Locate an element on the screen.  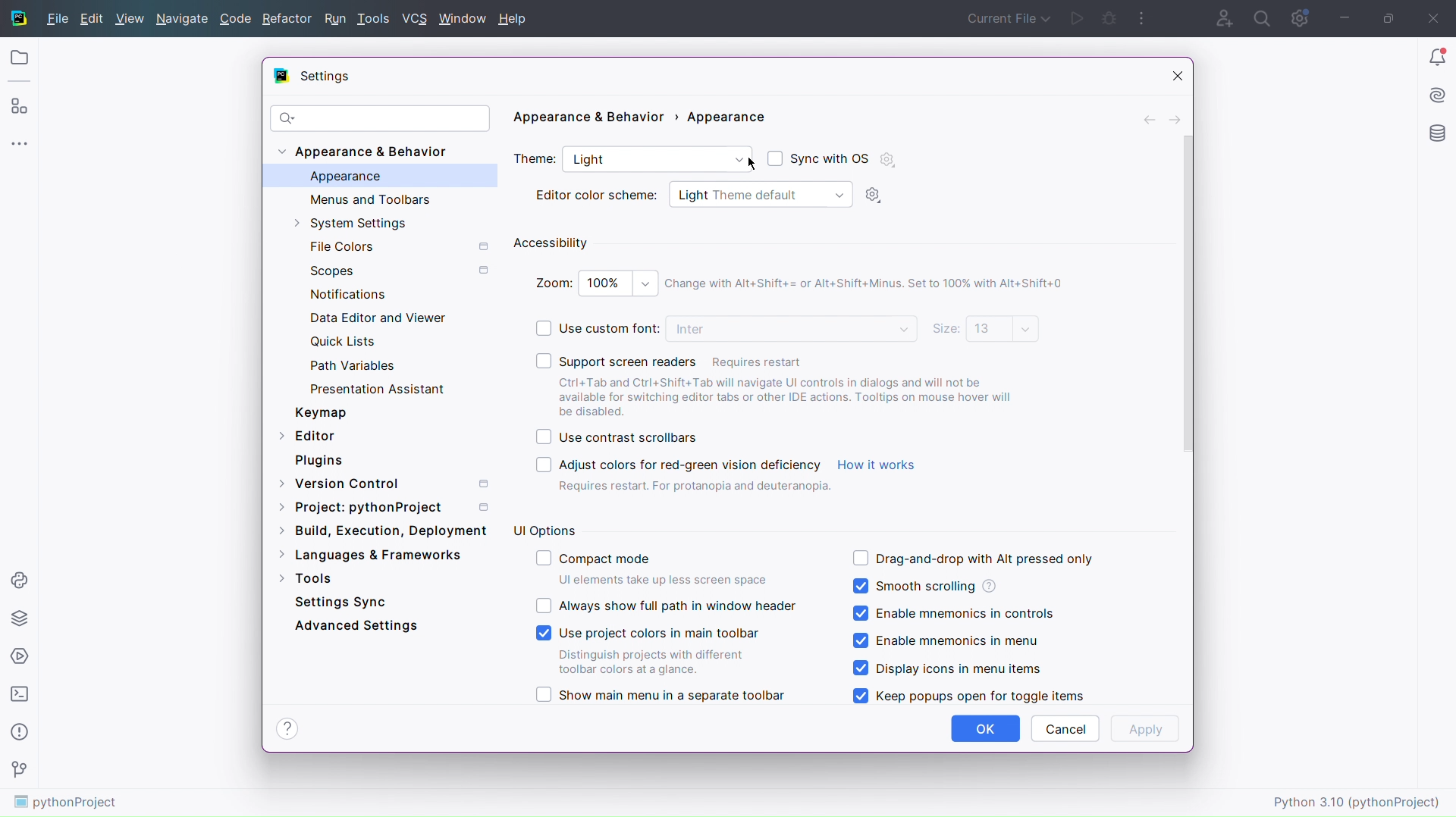
Services is located at coordinates (20, 656).